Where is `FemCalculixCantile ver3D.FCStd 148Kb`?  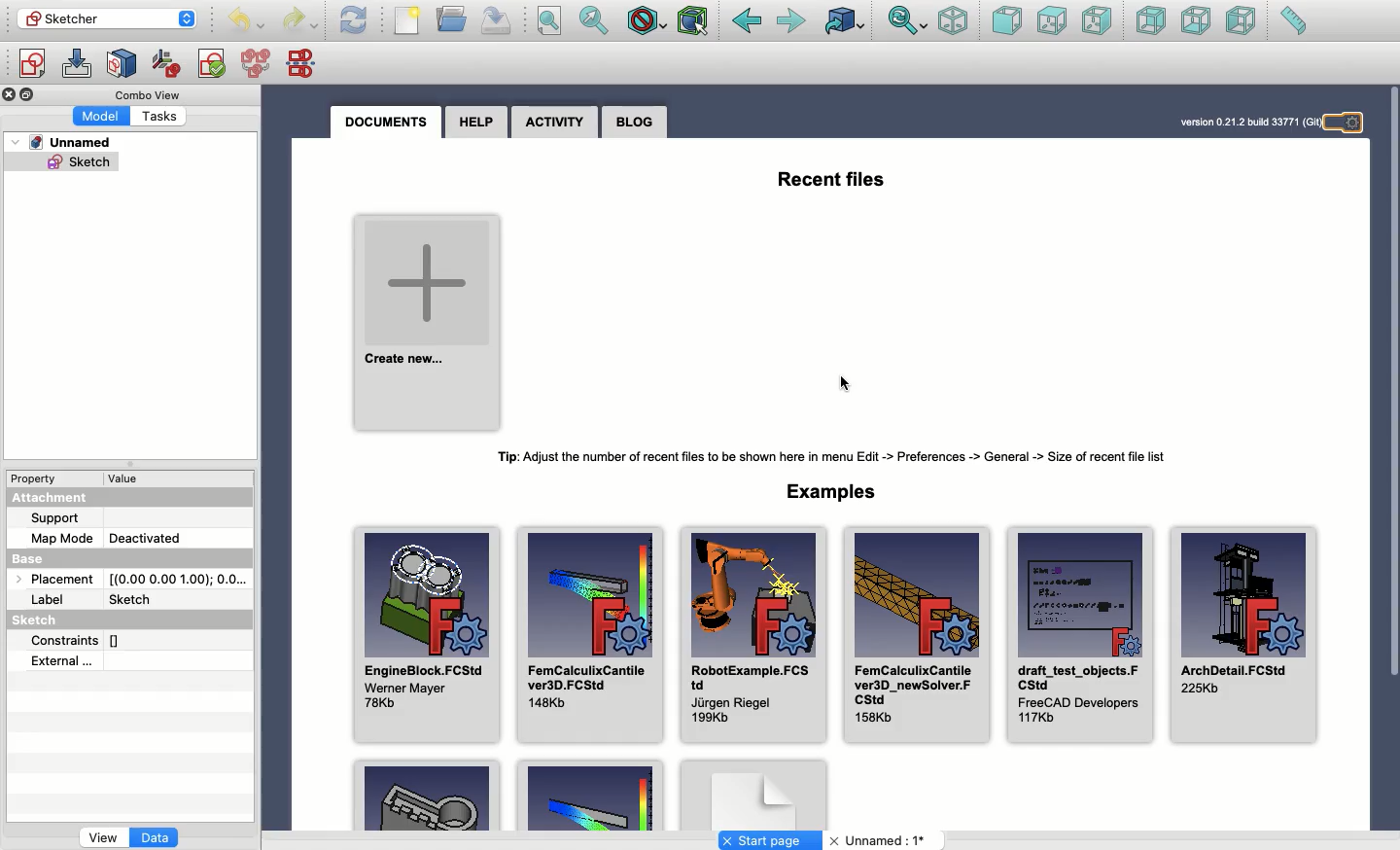
FemCalculixCantile ver3D.FCStd 148Kb is located at coordinates (591, 635).